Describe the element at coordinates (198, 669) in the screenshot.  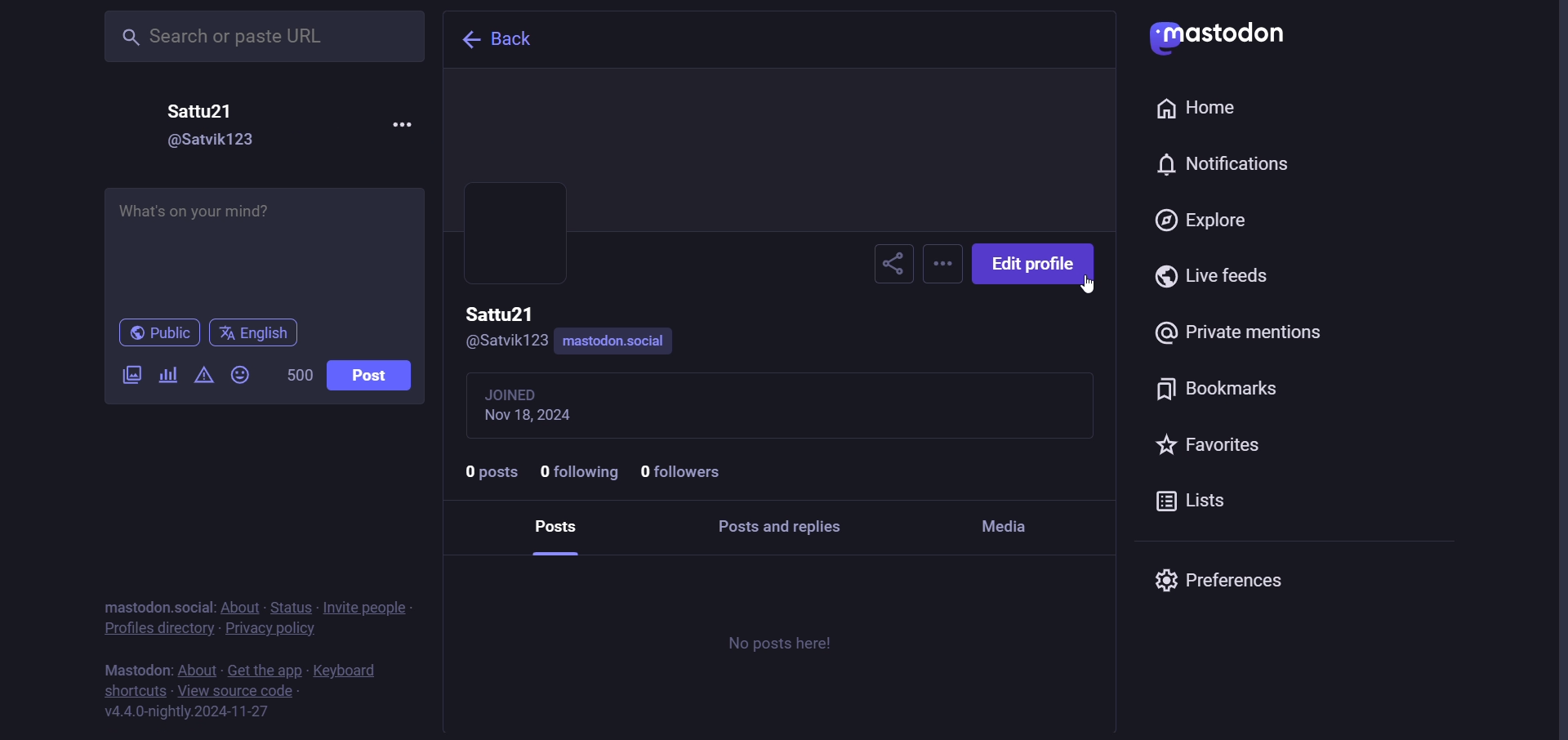
I see `about` at that location.